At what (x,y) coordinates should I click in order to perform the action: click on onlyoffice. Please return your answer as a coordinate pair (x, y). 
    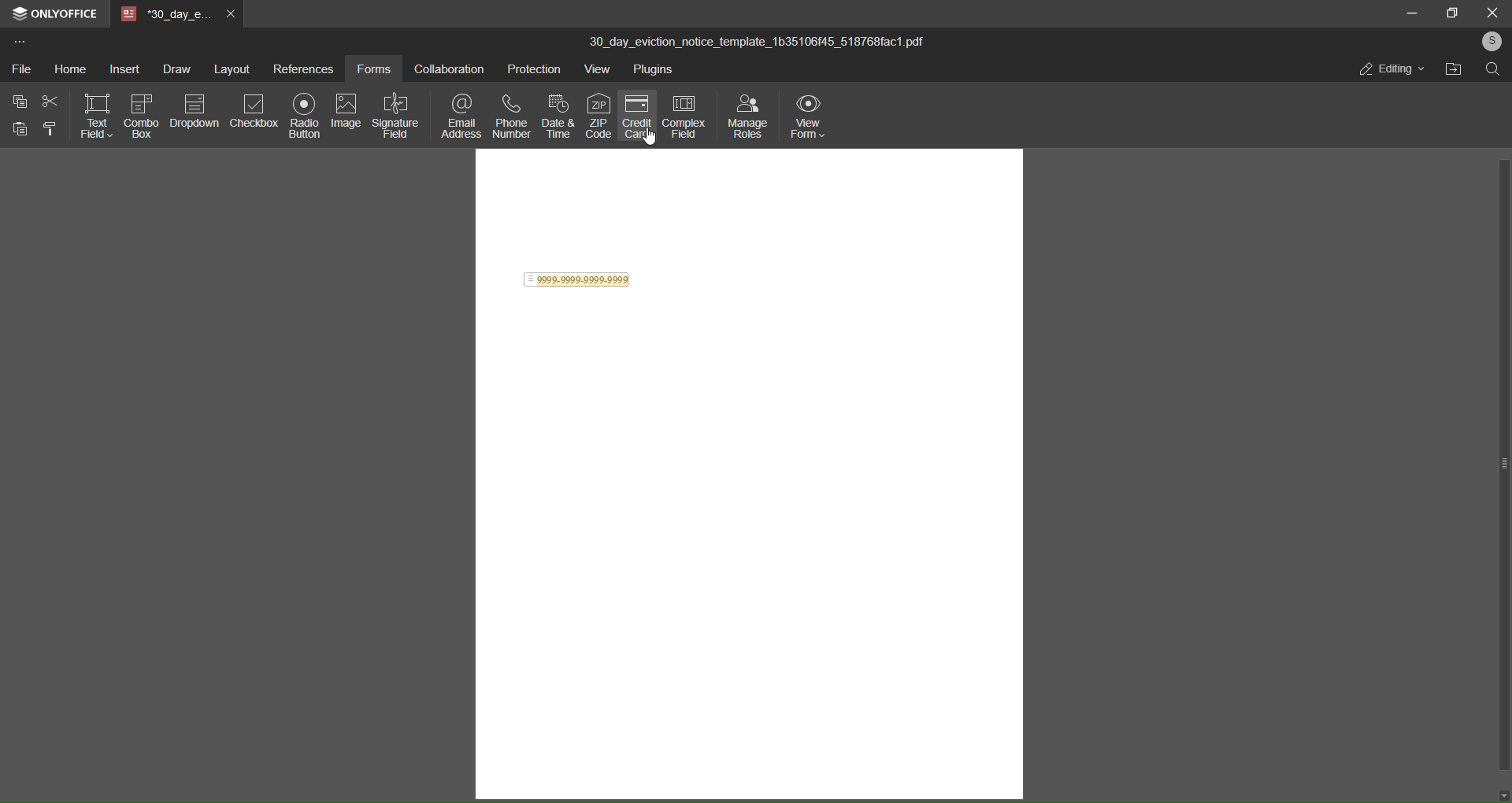
    Looking at the image, I should click on (64, 13).